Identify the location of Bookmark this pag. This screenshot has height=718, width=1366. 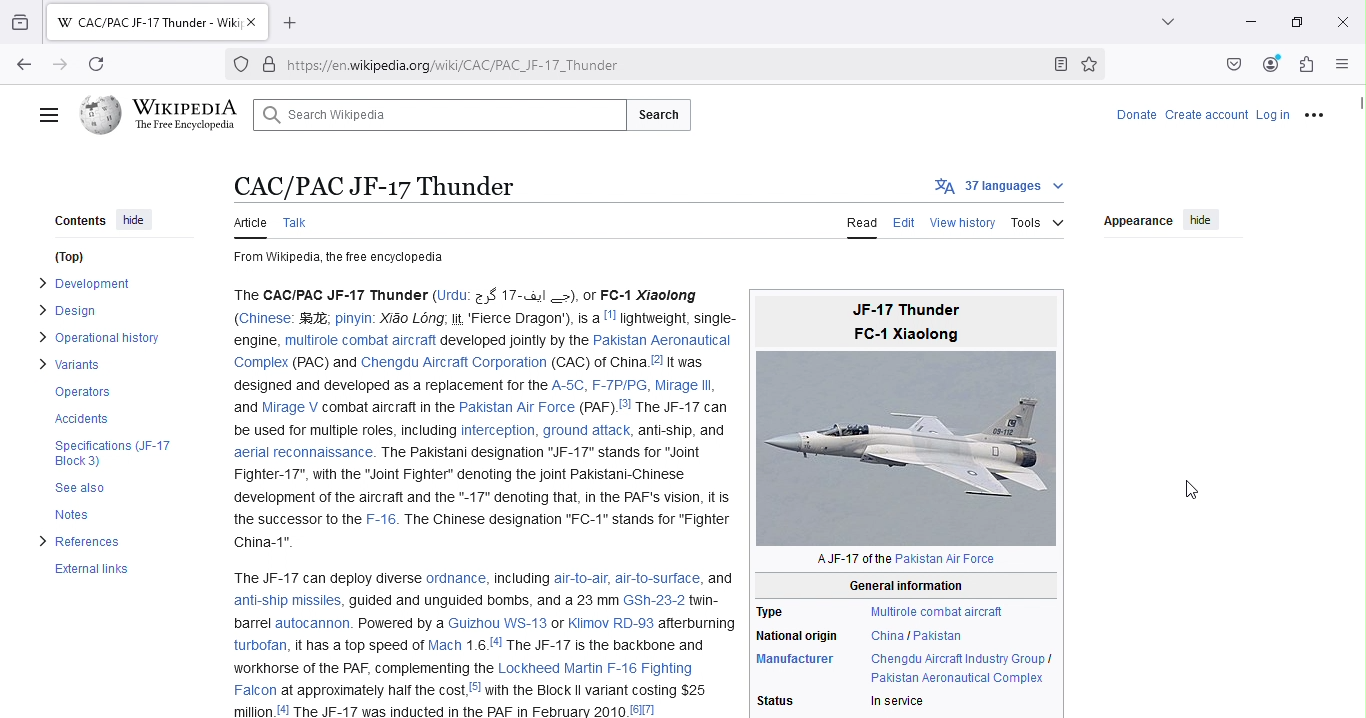
(1096, 63).